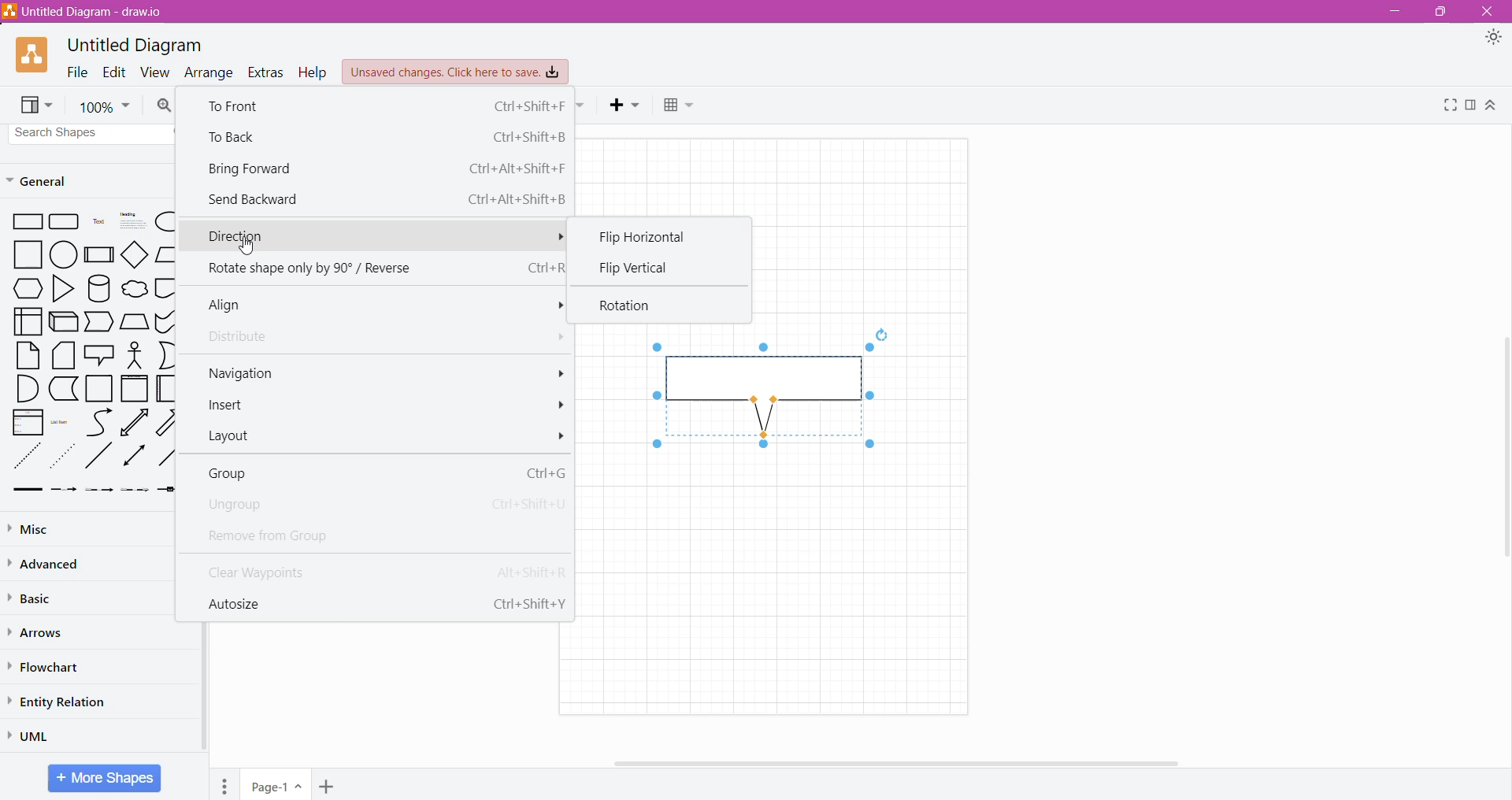  What do you see at coordinates (100, 491) in the screenshot?
I see `Thin Arrow ` at bounding box center [100, 491].